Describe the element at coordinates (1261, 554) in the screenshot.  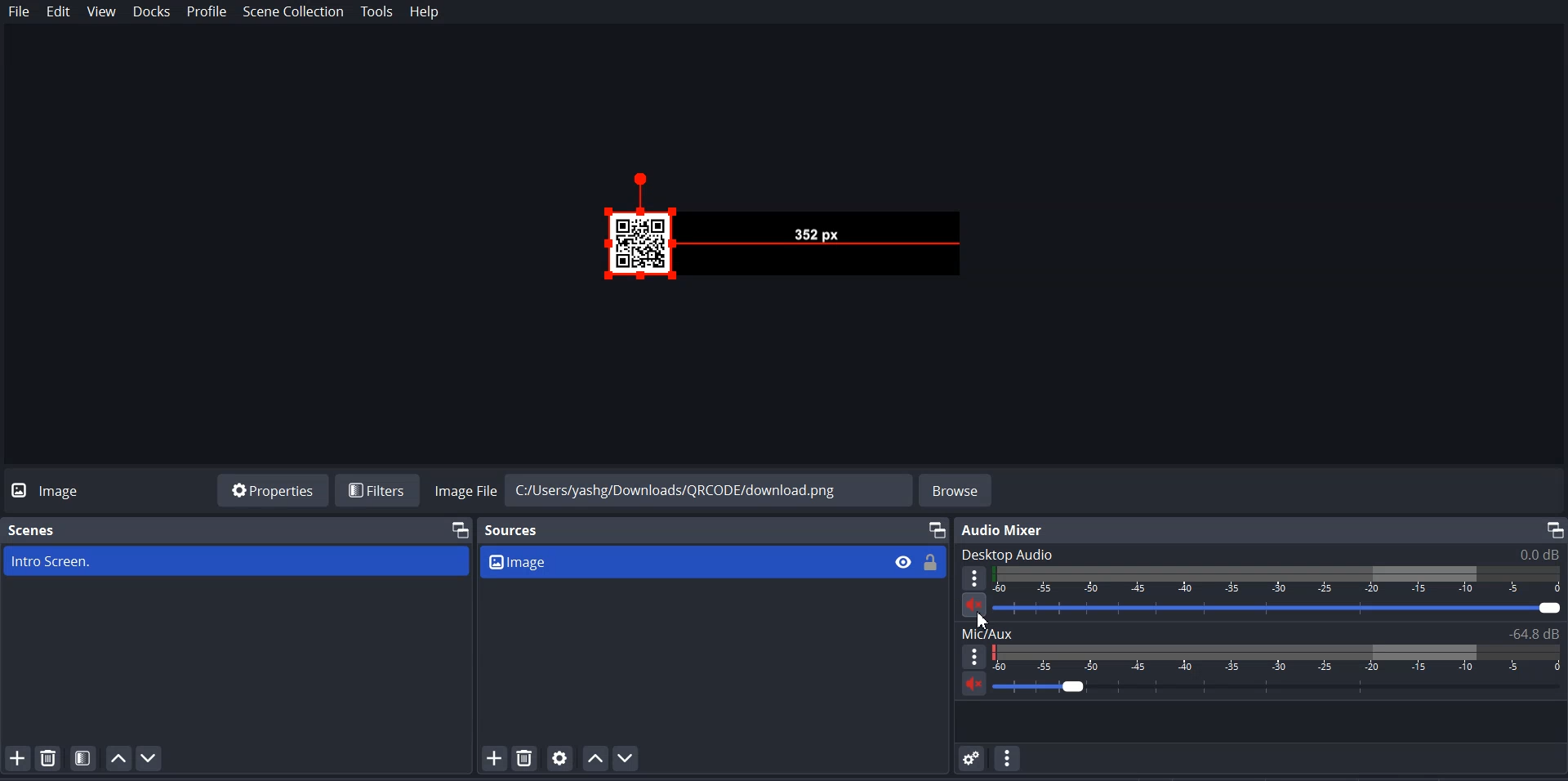
I see `Text` at that location.